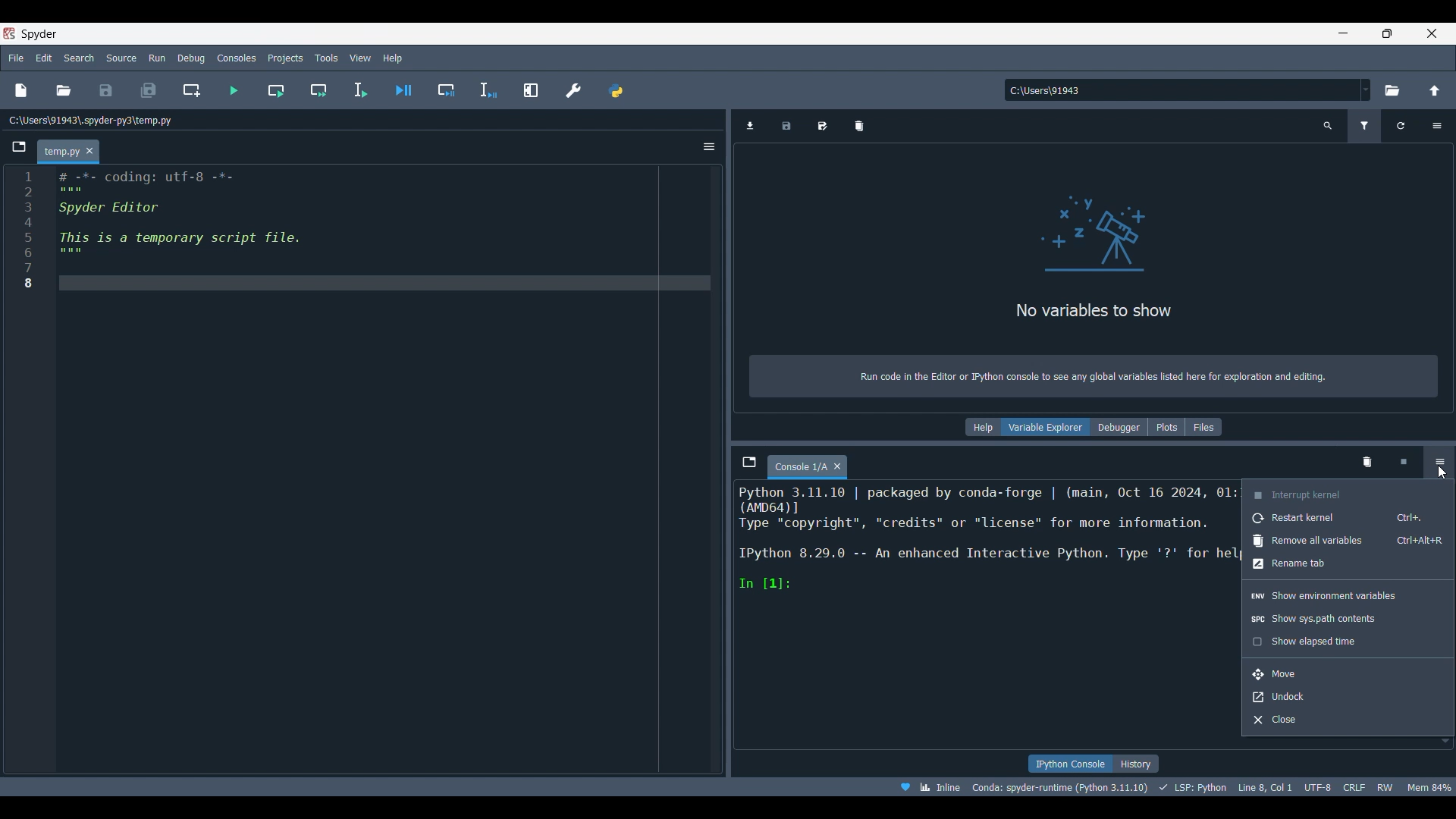 The height and width of the screenshot is (819, 1456). Describe the element at coordinates (286, 58) in the screenshot. I see `Projects menu` at that location.